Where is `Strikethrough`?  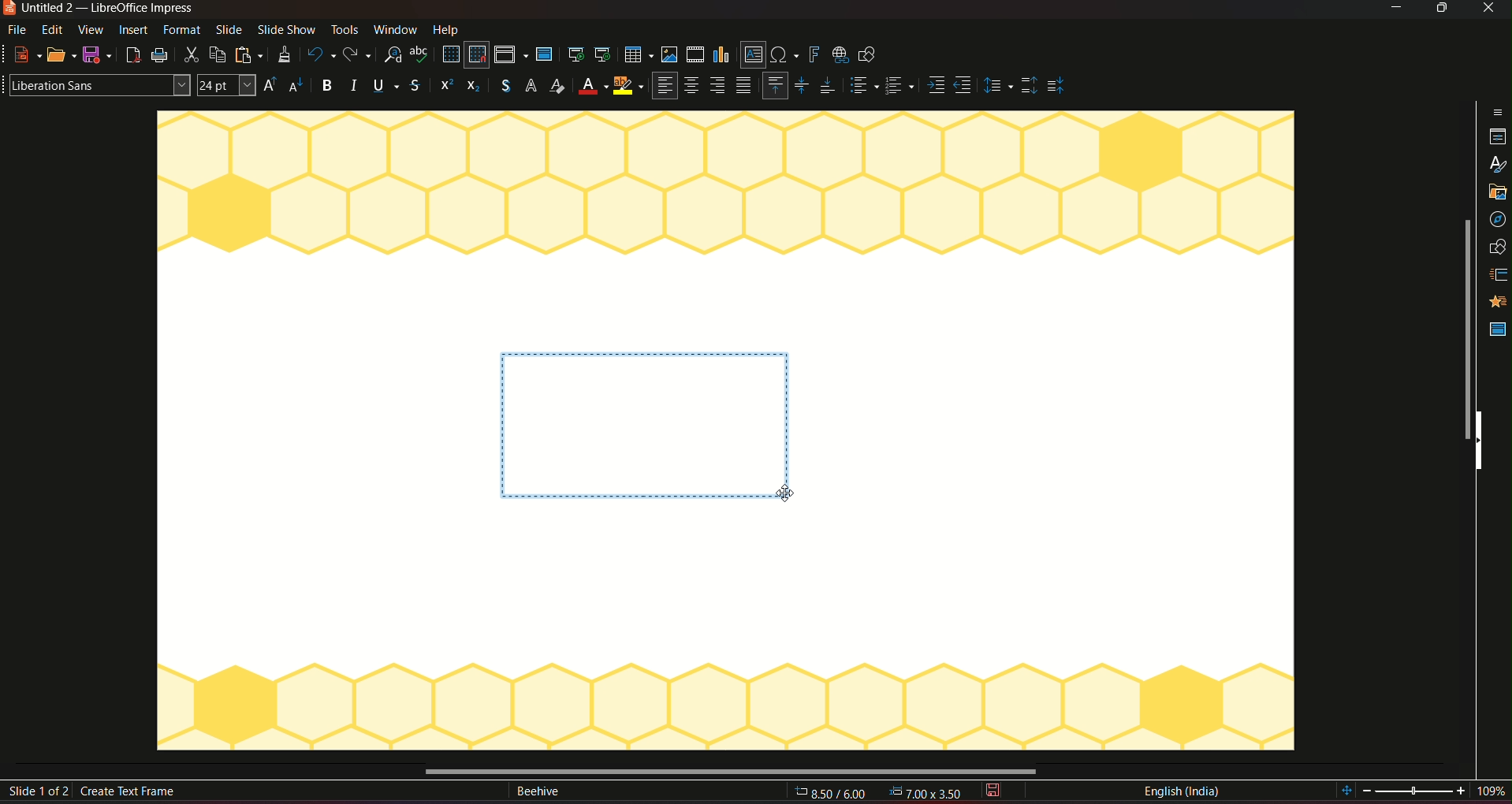 Strikethrough is located at coordinates (415, 86).